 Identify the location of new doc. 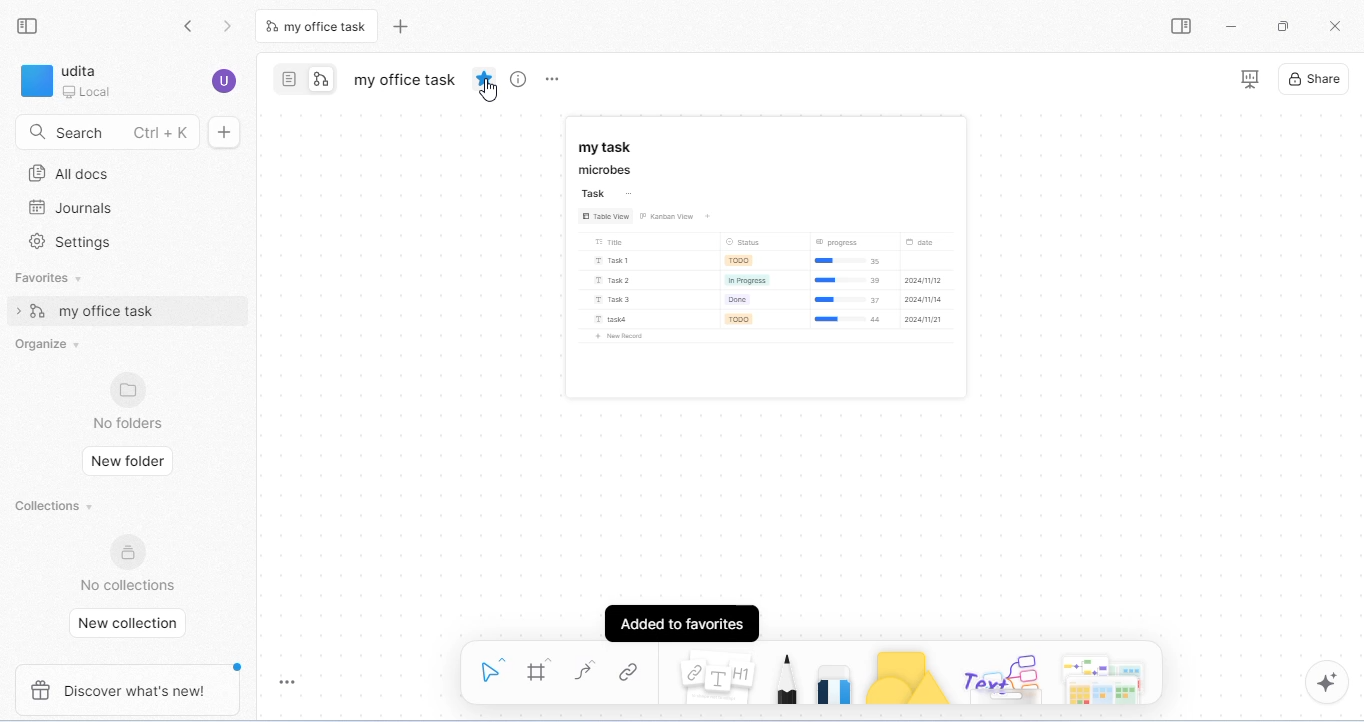
(225, 132).